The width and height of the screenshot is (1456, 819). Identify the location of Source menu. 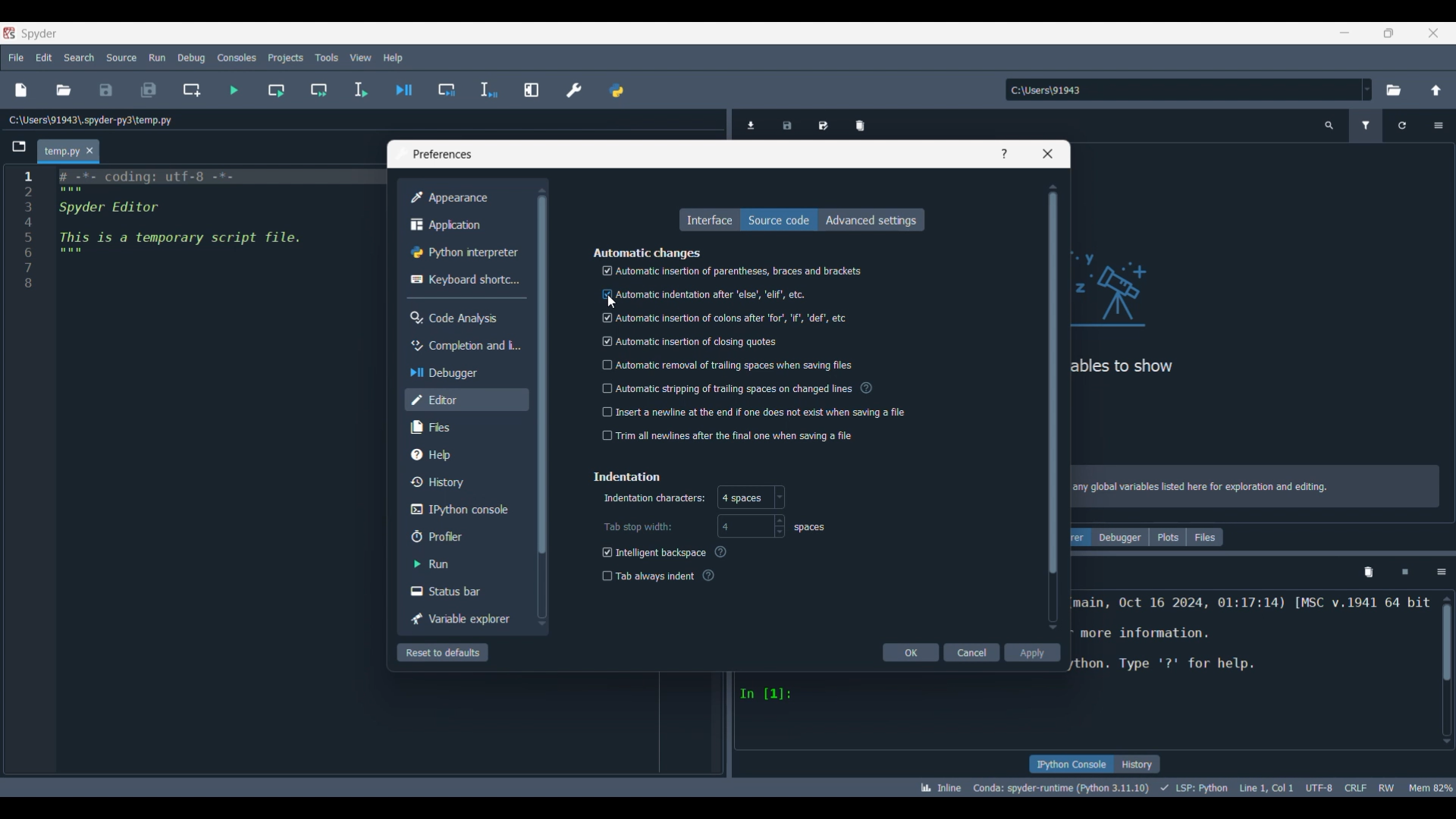
(121, 58).